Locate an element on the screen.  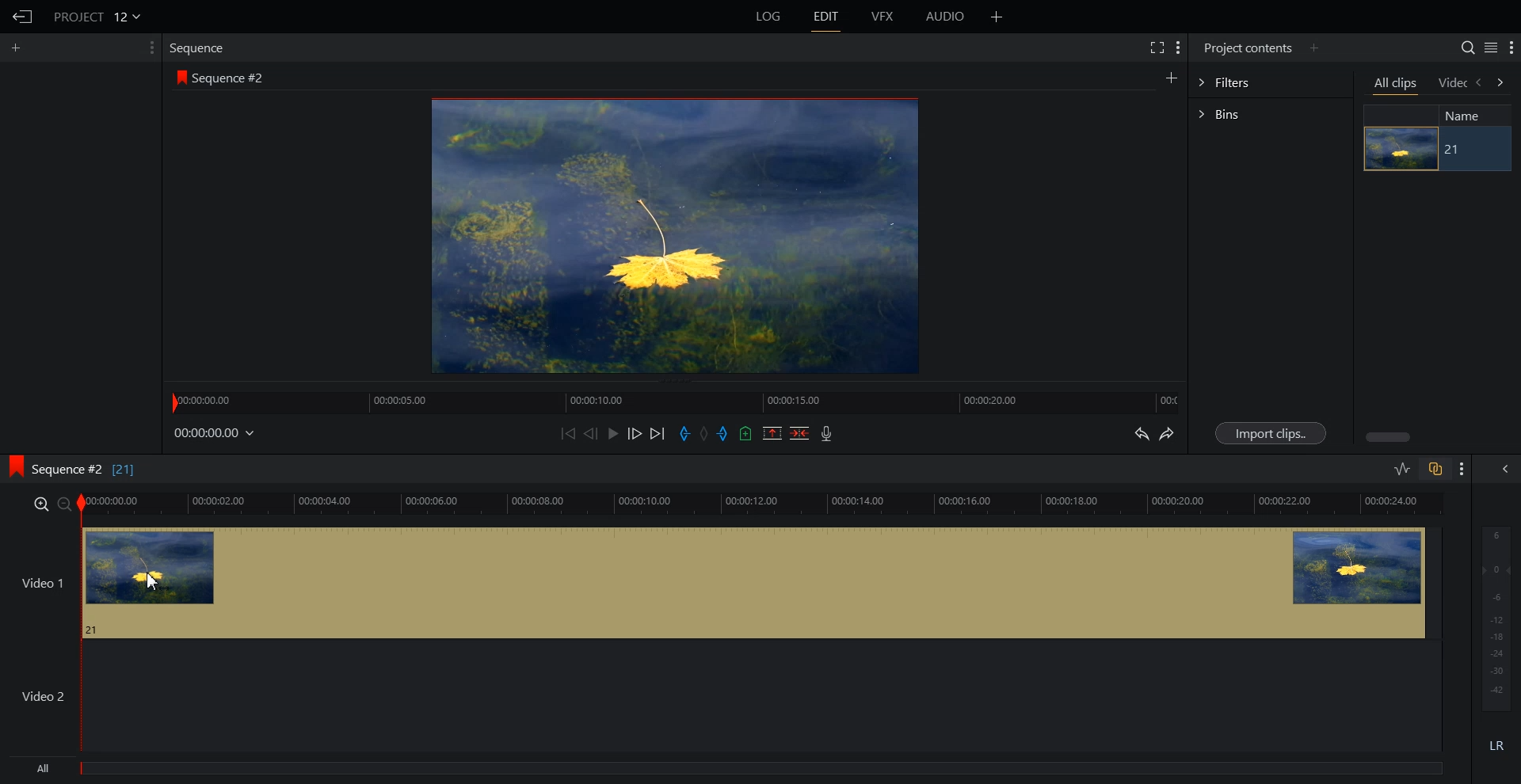
LOG is located at coordinates (769, 17).